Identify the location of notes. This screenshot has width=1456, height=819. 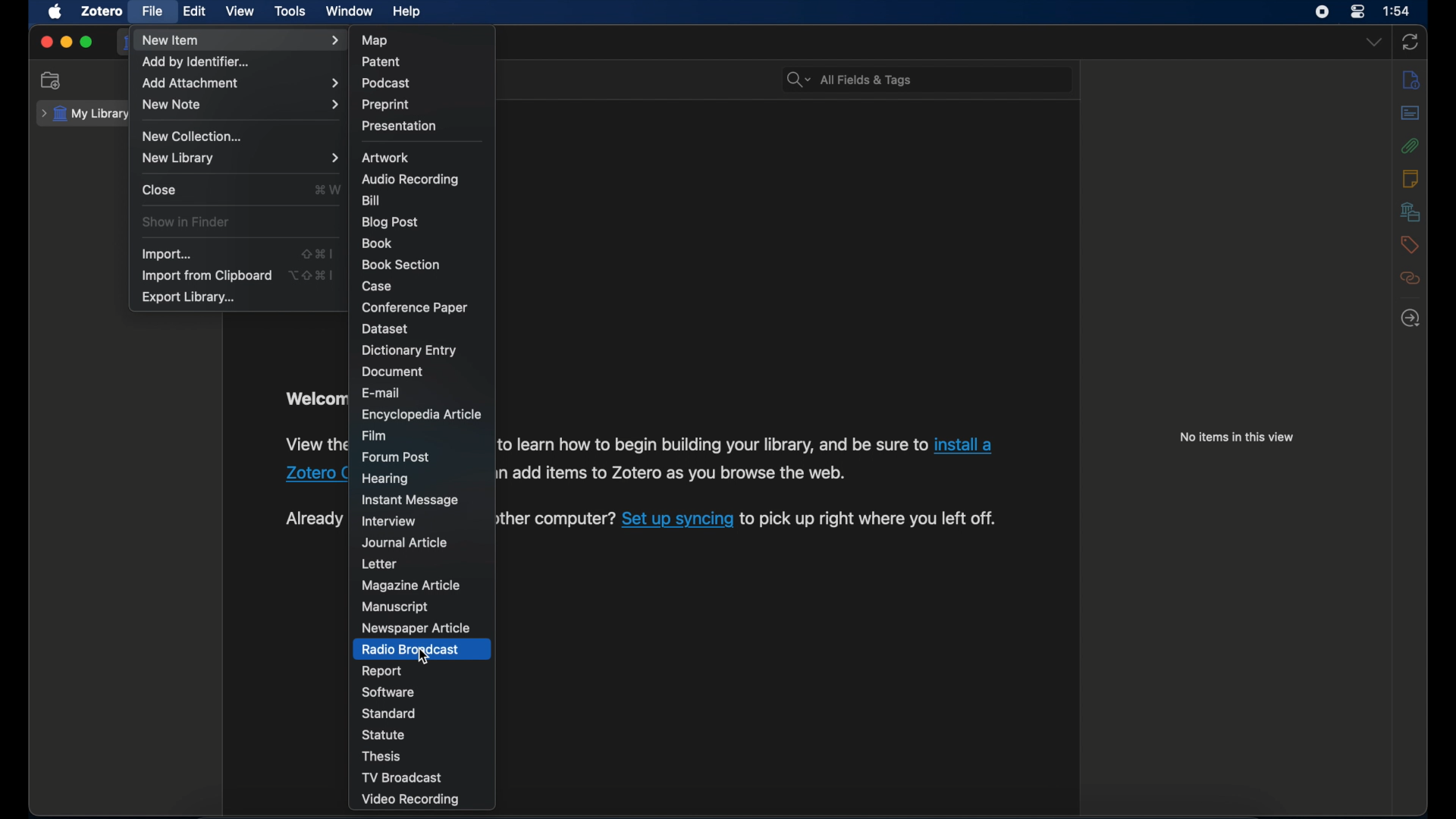
(1411, 177).